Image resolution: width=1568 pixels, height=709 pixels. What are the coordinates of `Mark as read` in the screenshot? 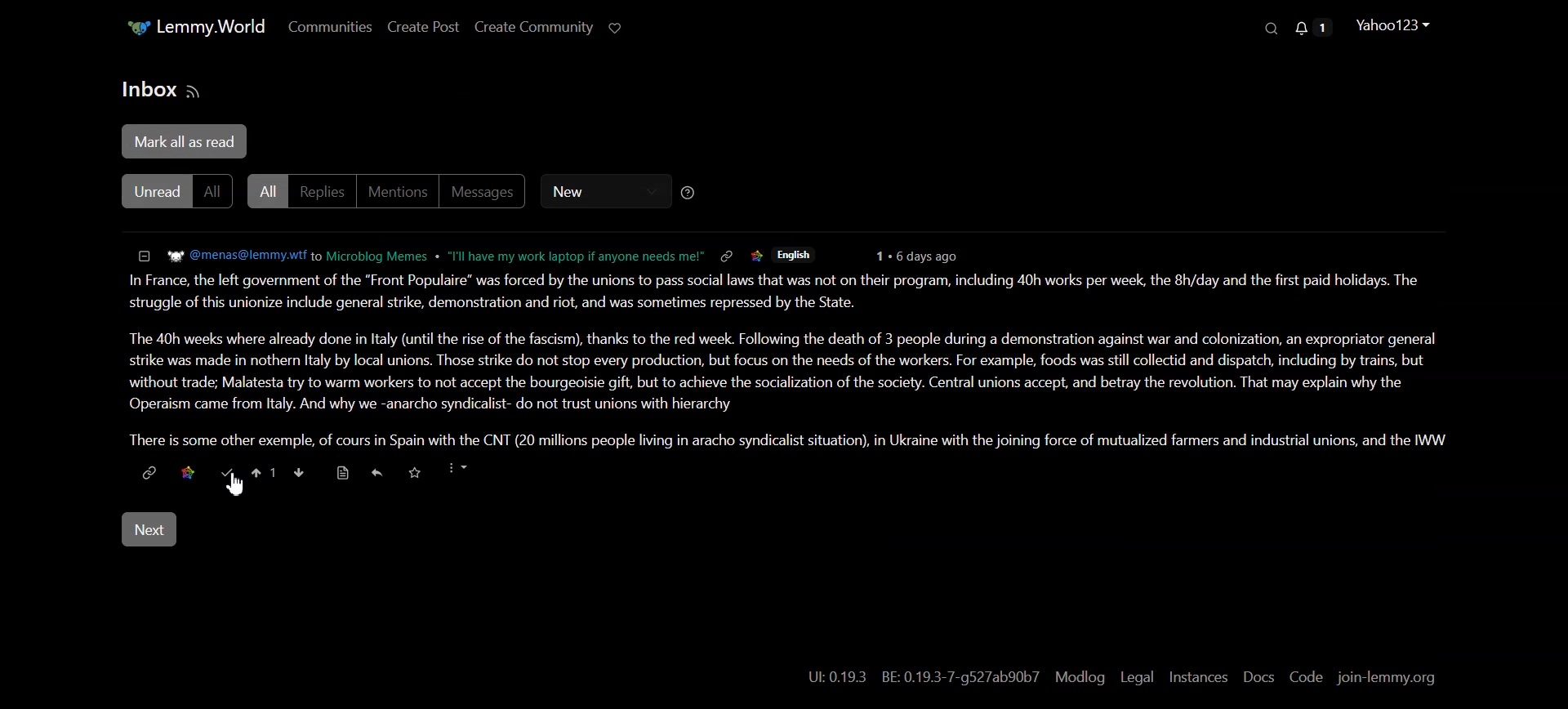 It's located at (229, 471).